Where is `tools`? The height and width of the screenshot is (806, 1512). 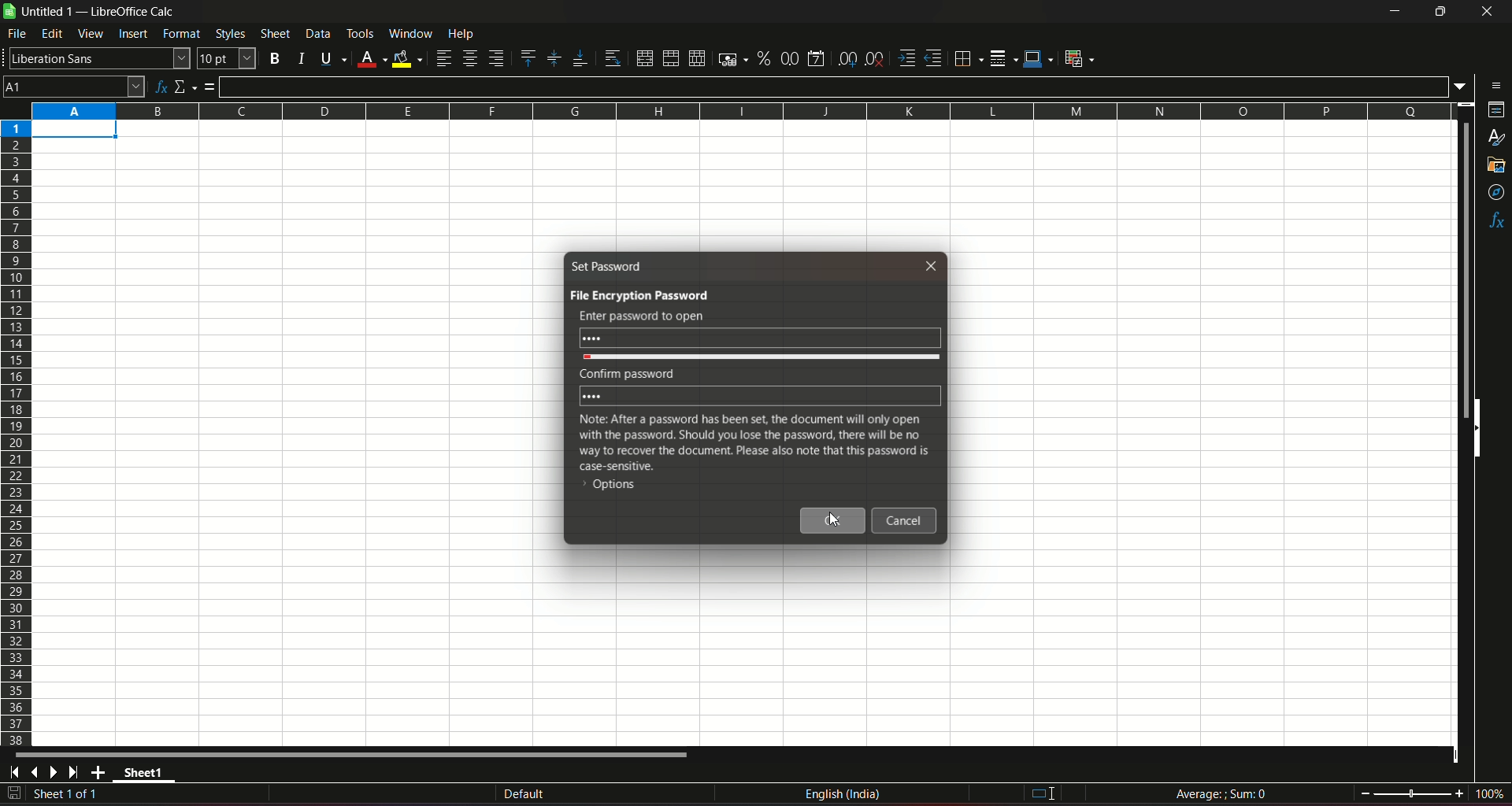
tools is located at coordinates (361, 33).